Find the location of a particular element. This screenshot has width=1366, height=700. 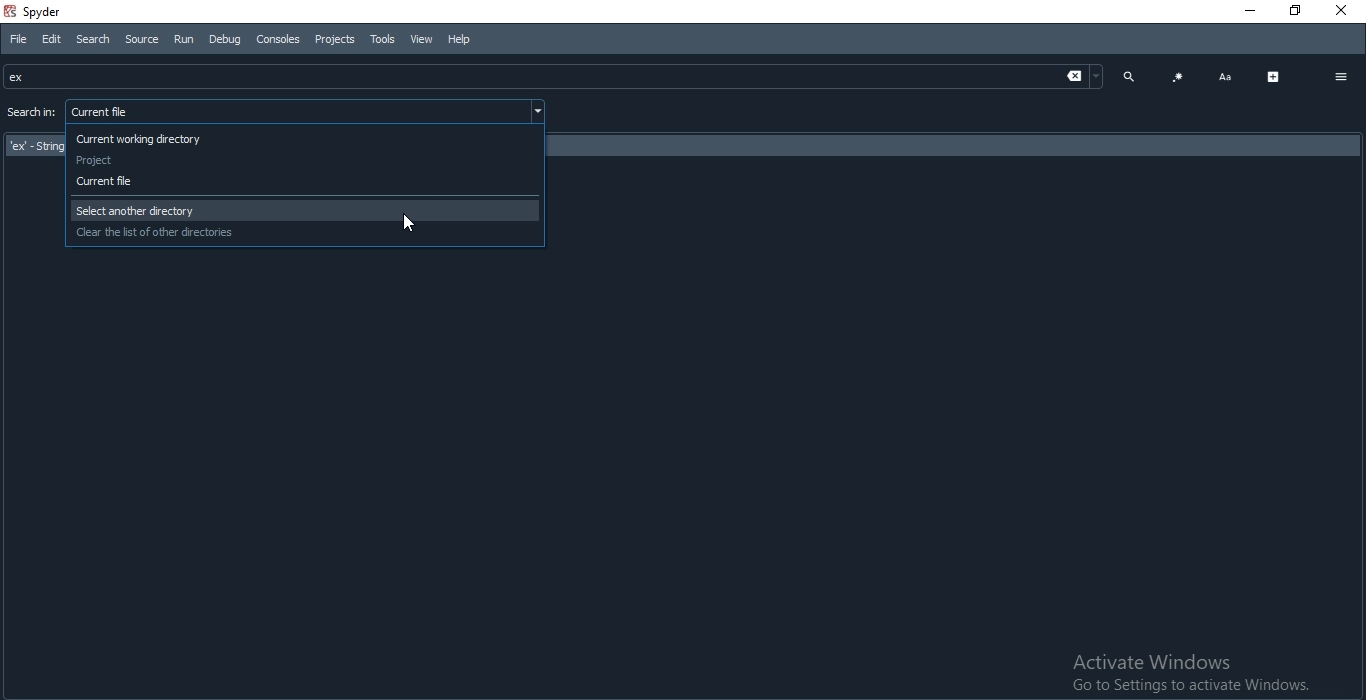

expand is located at coordinates (1274, 77).